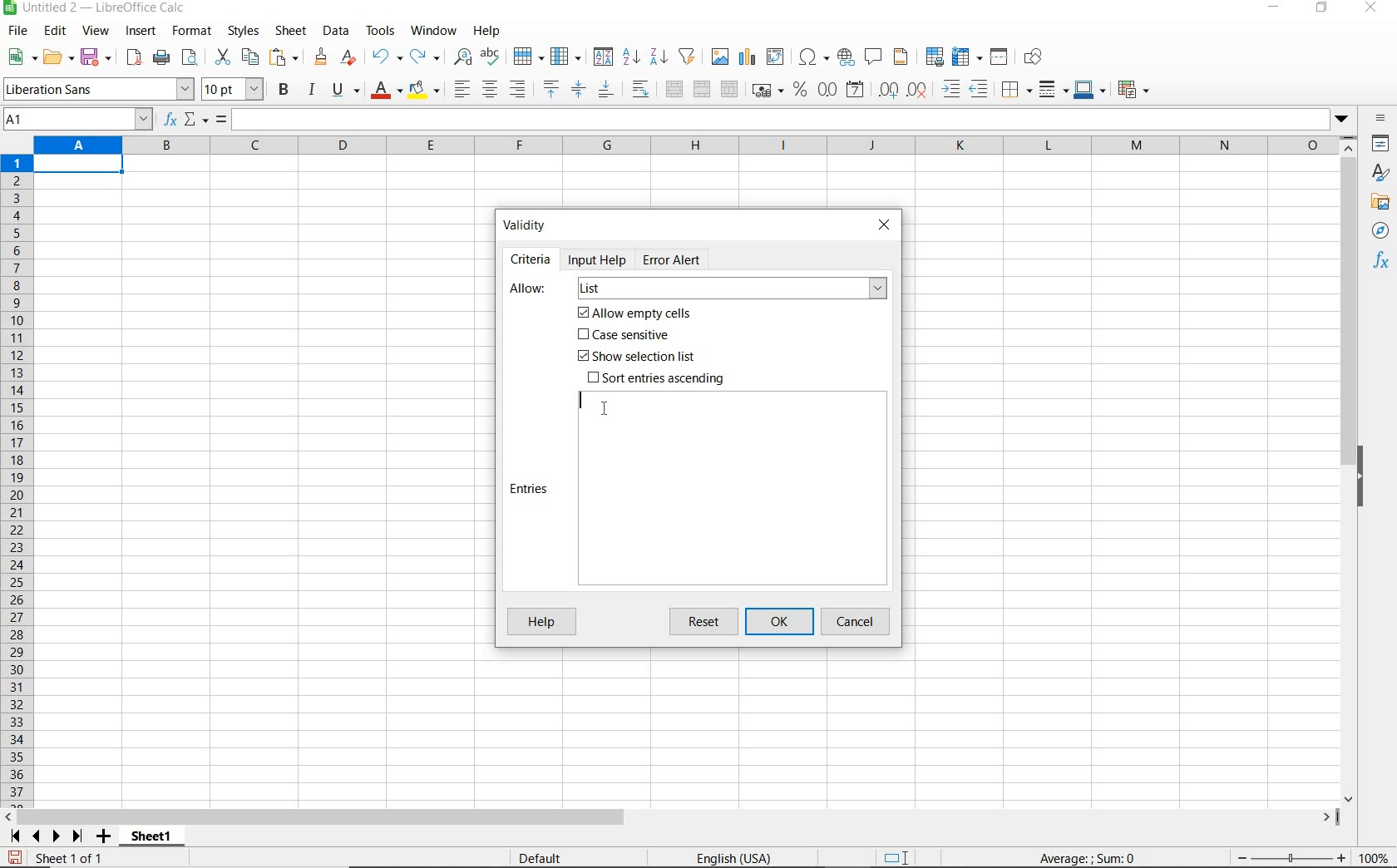 This screenshot has width=1397, height=868. I want to click on insert special characters, so click(814, 57).